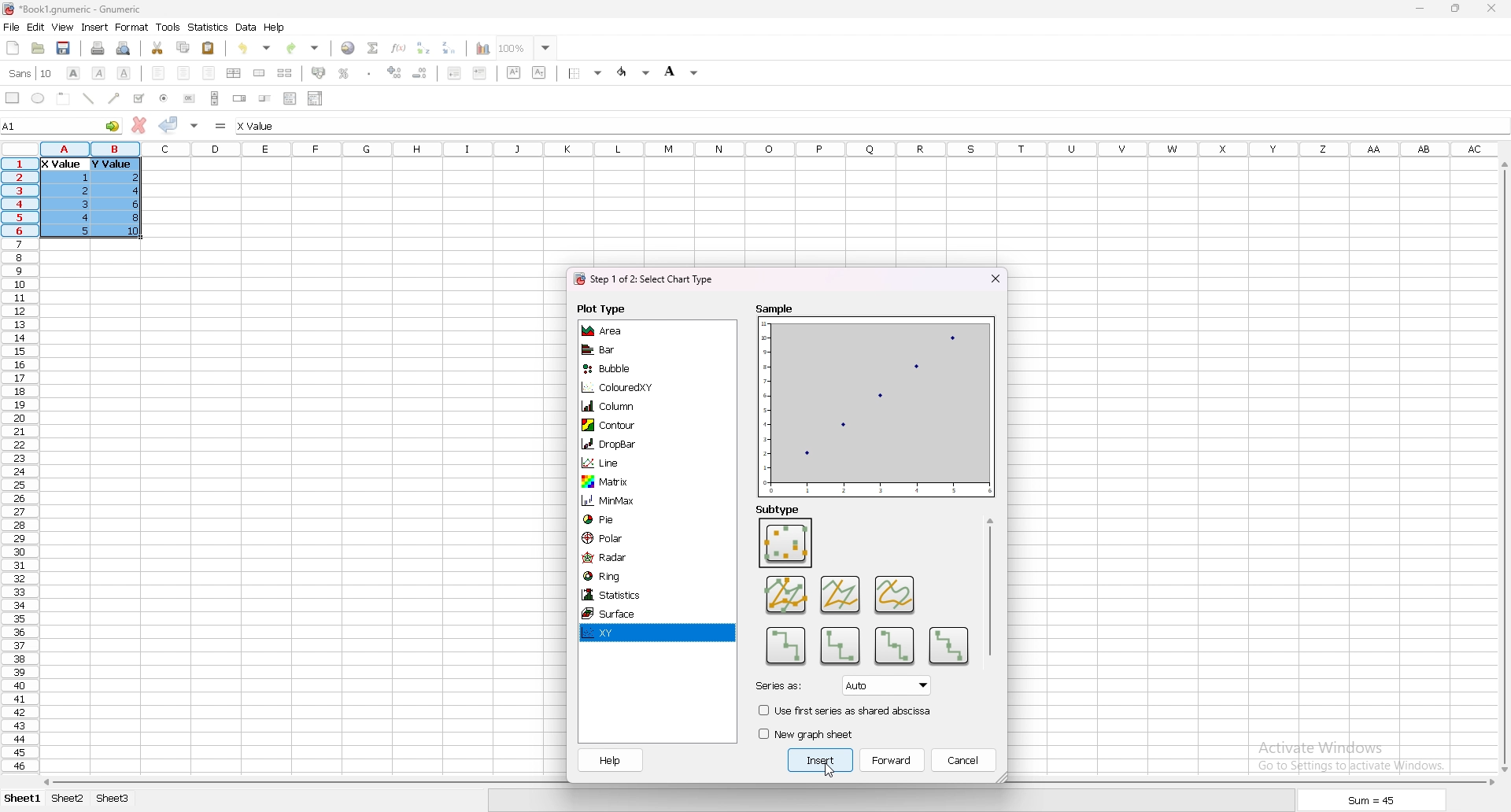  I want to click on print, so click(98, 48).